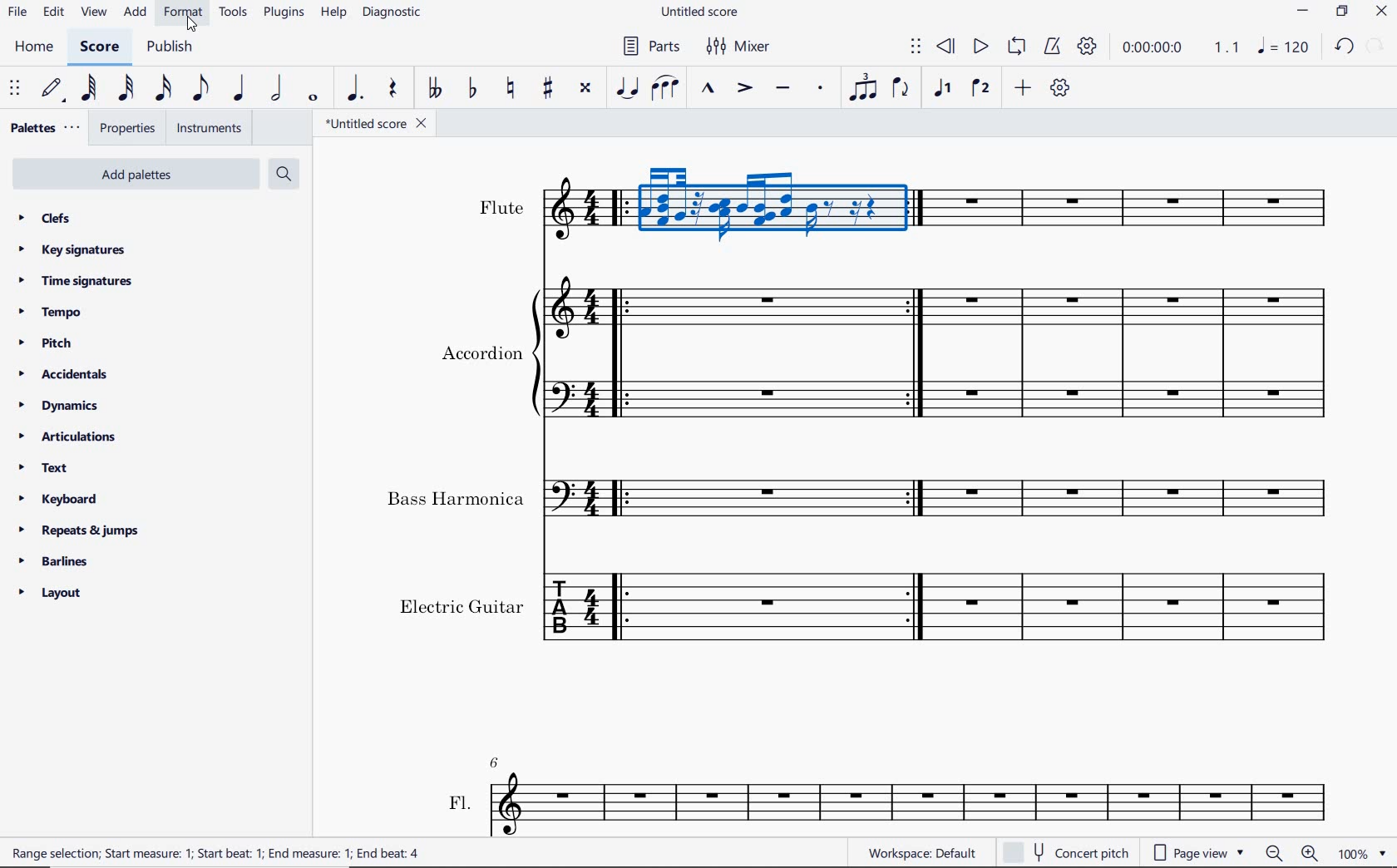 This screenshot has width=1397, height=868. Describe the element at coordinates (279, 87) in the screenshot. I see `half note` at that location.